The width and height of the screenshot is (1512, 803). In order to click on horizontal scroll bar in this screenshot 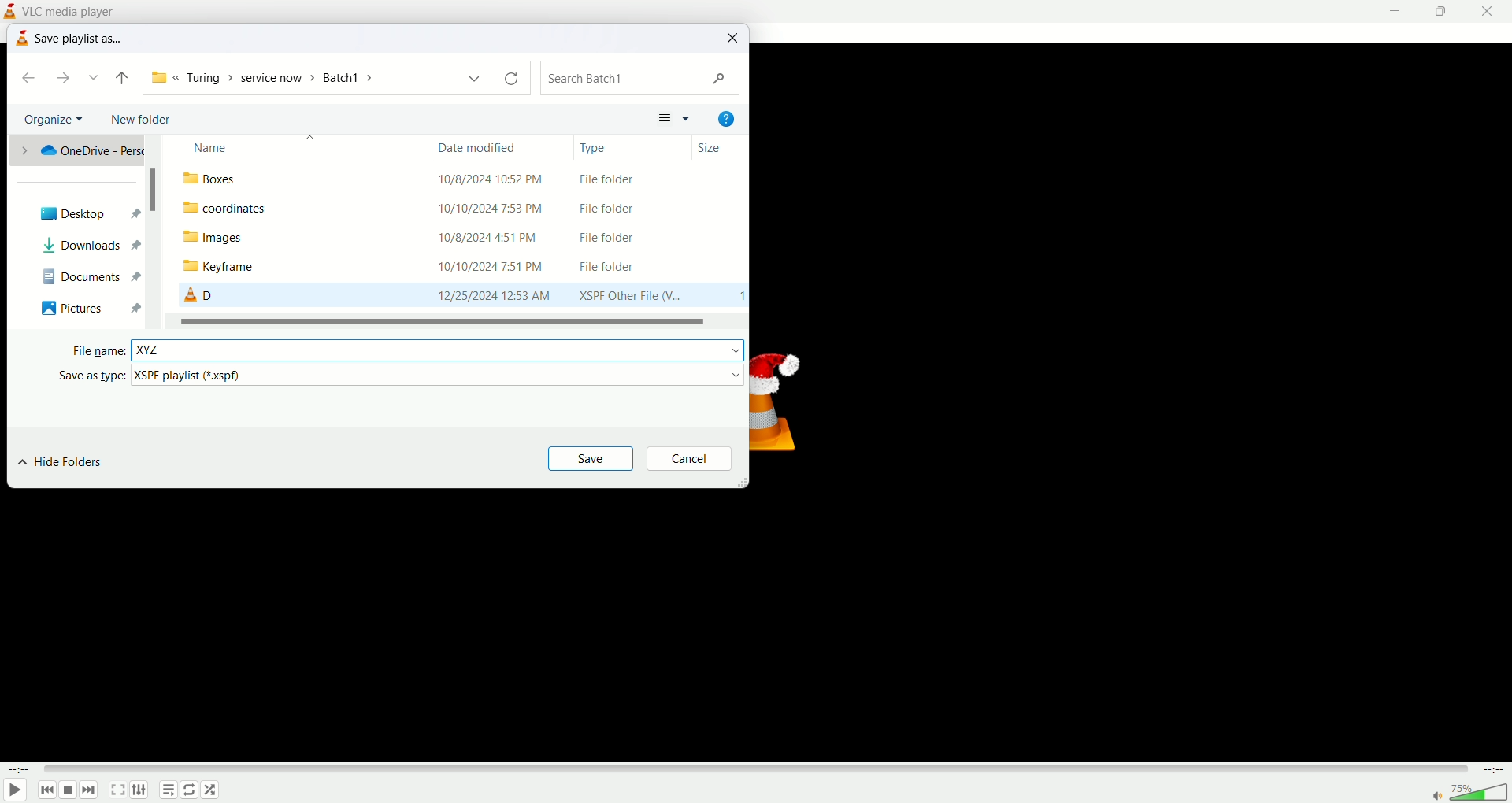, I will do `click(450, 320)`.